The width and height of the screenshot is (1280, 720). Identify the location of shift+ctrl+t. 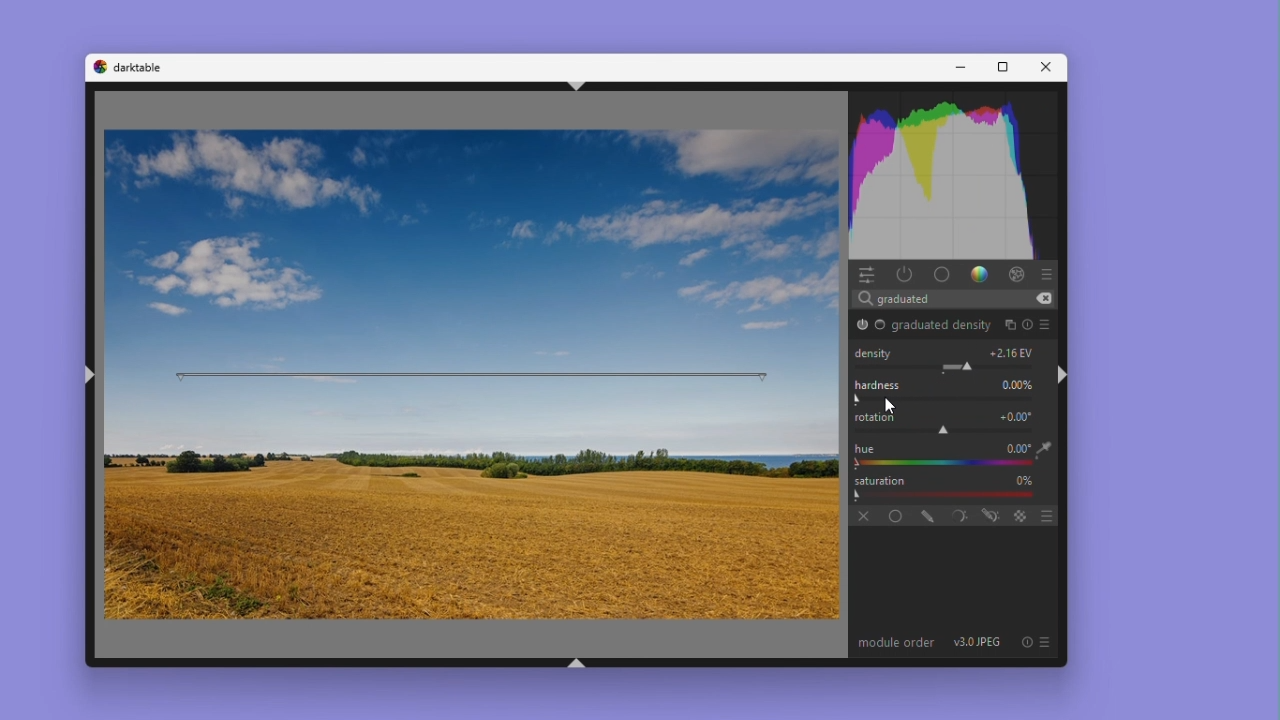
(574, 86).